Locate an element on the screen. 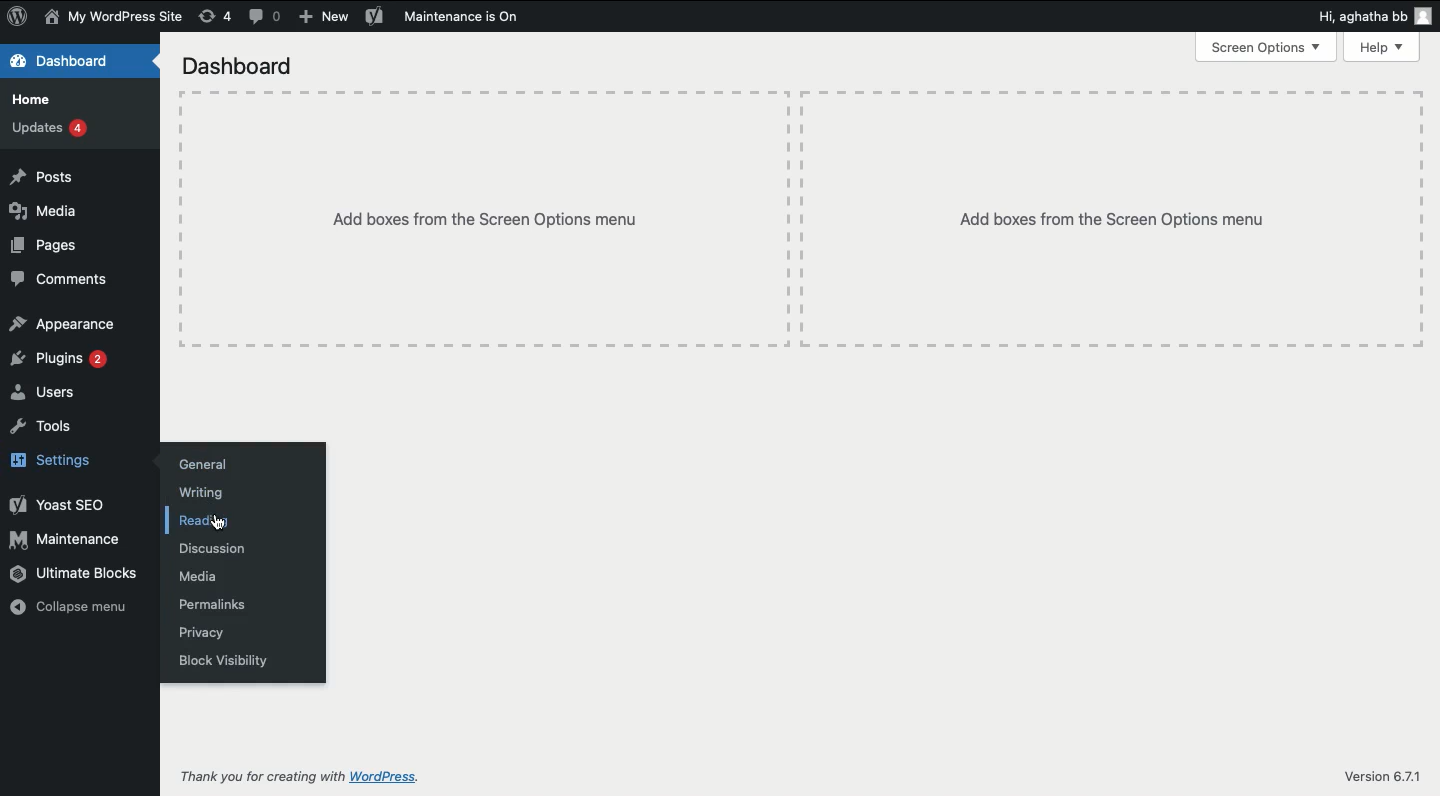 This screenshot has height=796, width=1440. add boxes from the screen options menu is located at coordinates (1117, 220).